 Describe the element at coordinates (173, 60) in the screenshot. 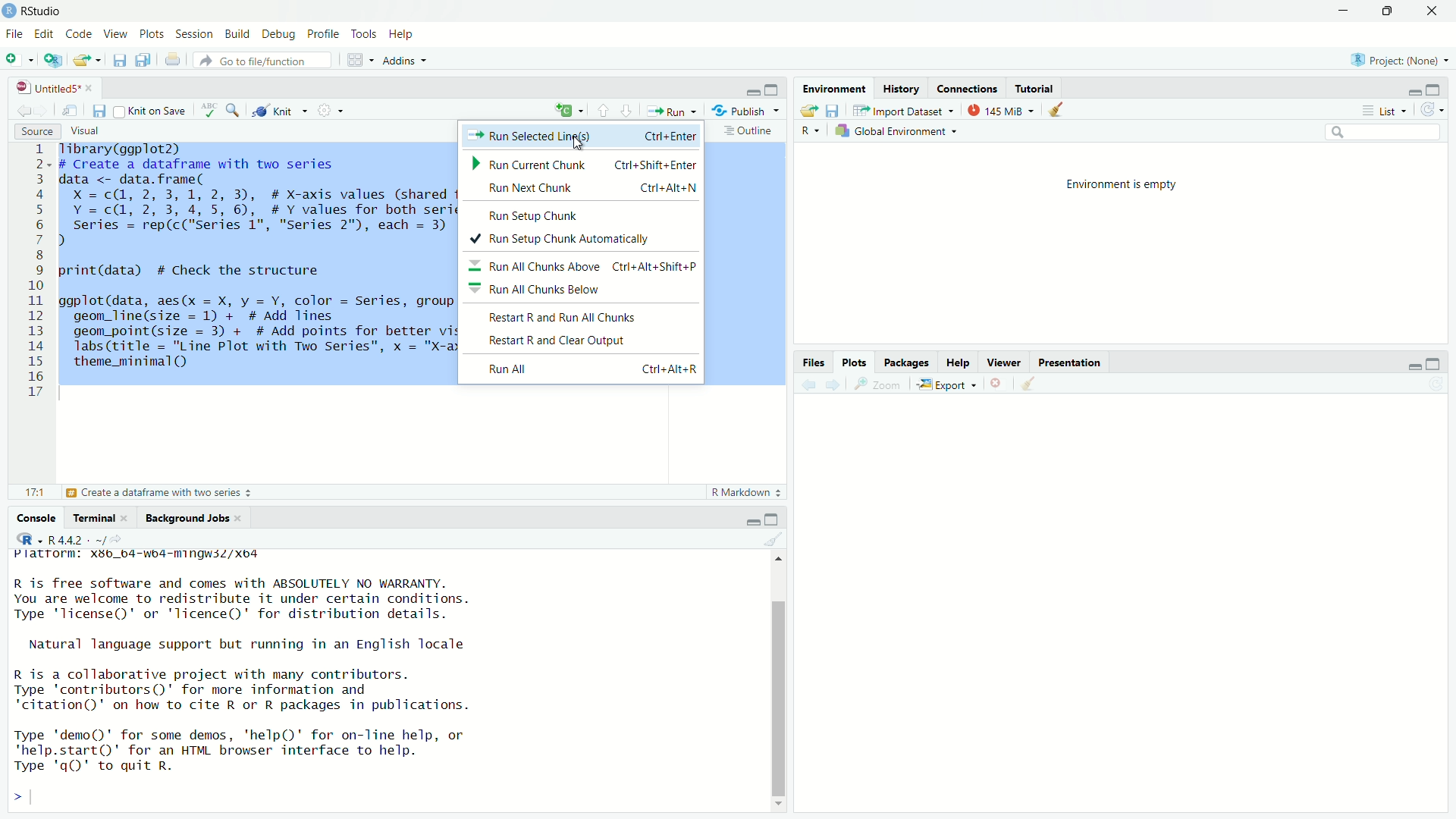

I see `Print the current file` at that location.